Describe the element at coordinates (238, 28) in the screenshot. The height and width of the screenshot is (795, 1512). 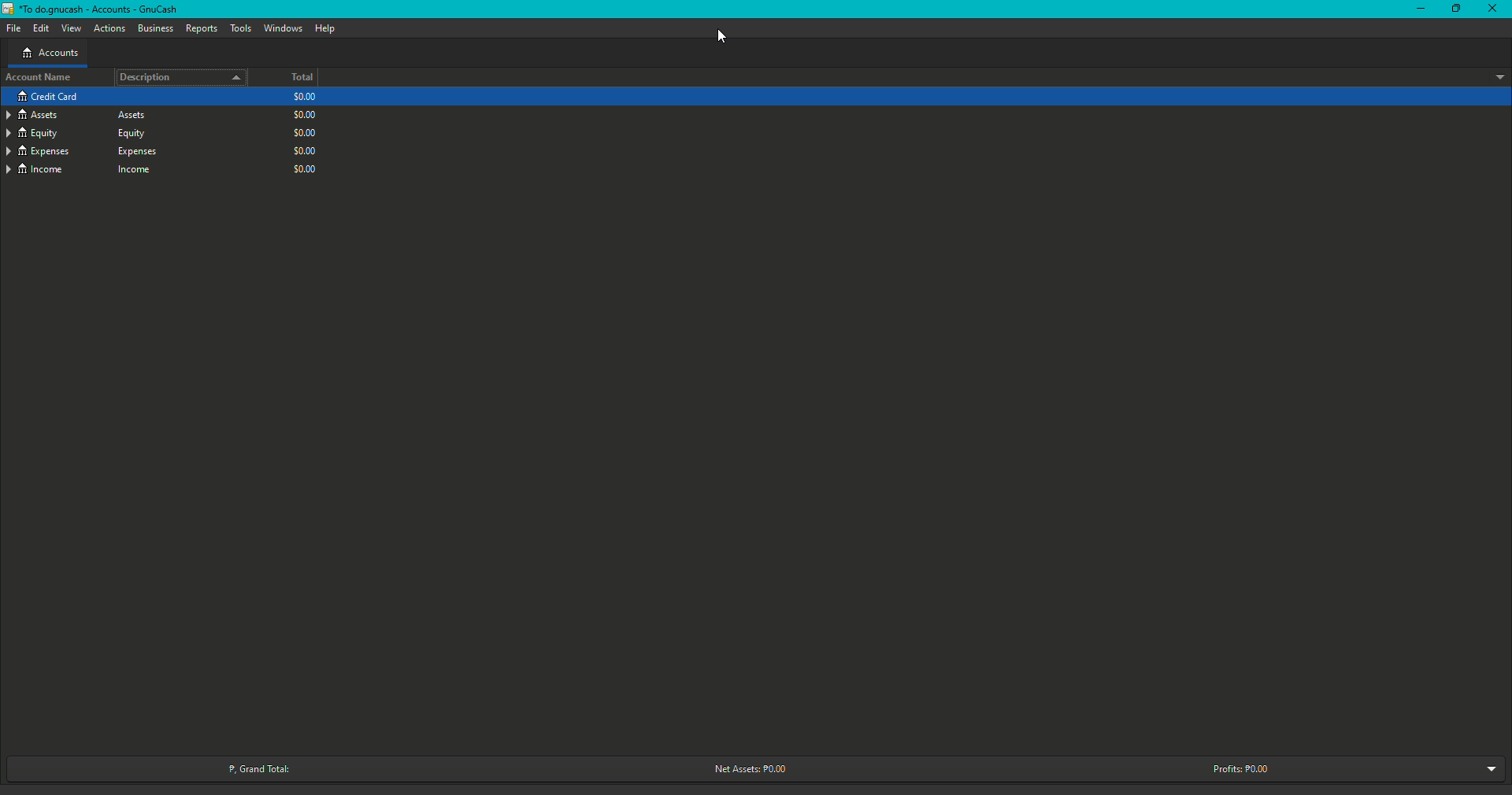
I see `Tools` at that location.